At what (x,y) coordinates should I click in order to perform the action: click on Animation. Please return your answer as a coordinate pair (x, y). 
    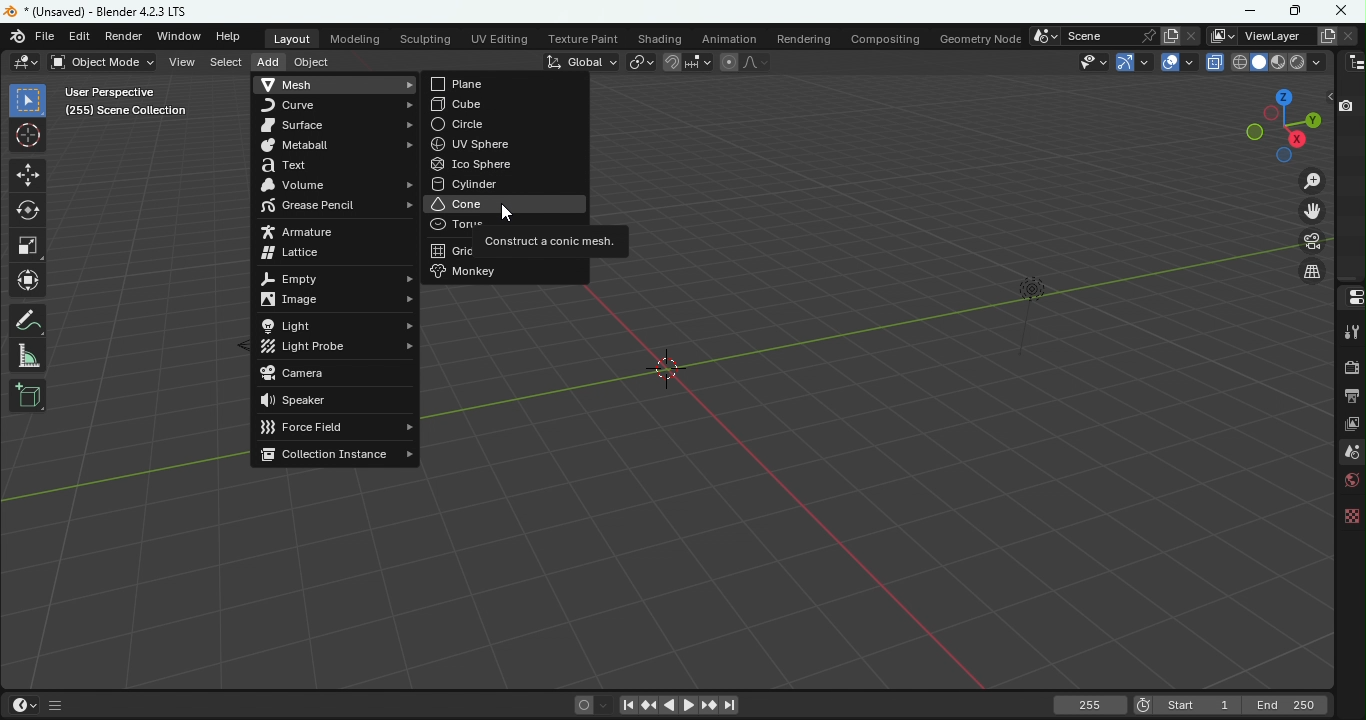
    Looking at the image, I should click on (728, 38).